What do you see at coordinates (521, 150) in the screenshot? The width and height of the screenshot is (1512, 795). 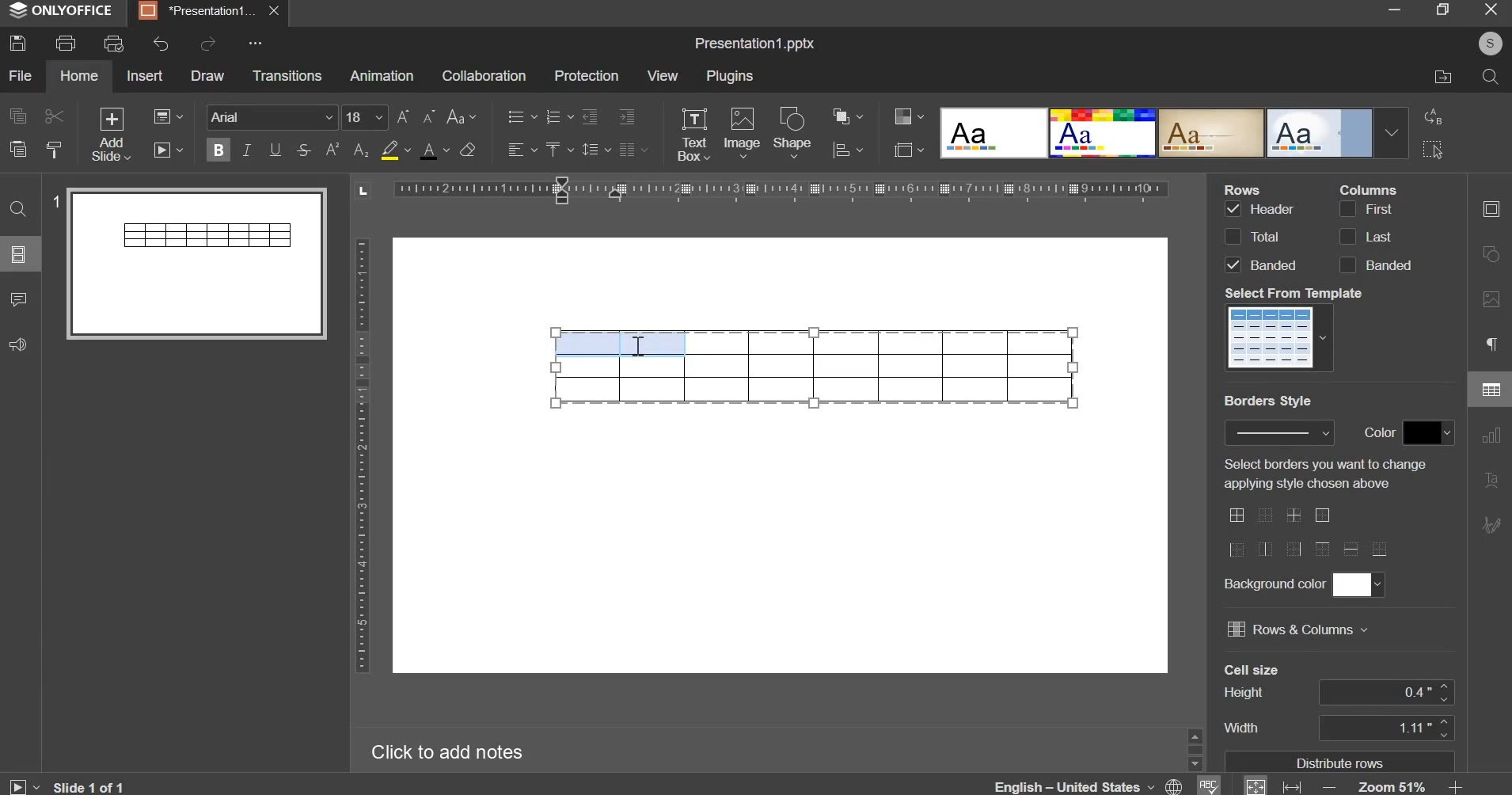 I see `horizontal alignment` at bounding box center [521, 150].